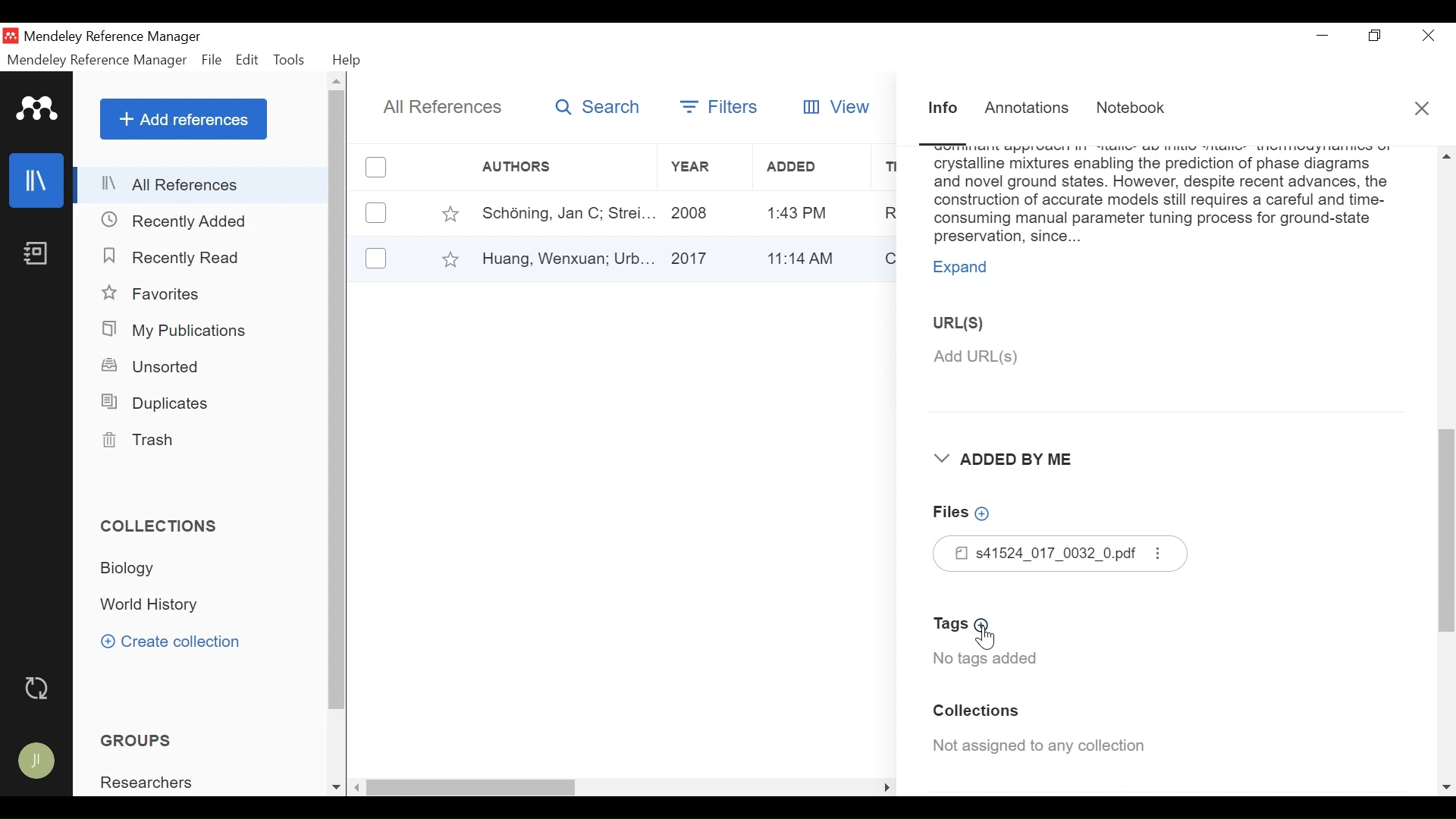 The image size is (1456, 819). Describe the element at coordinates (338, 400) in the screenshot. I see `Vertical Scroll bar` at that location.